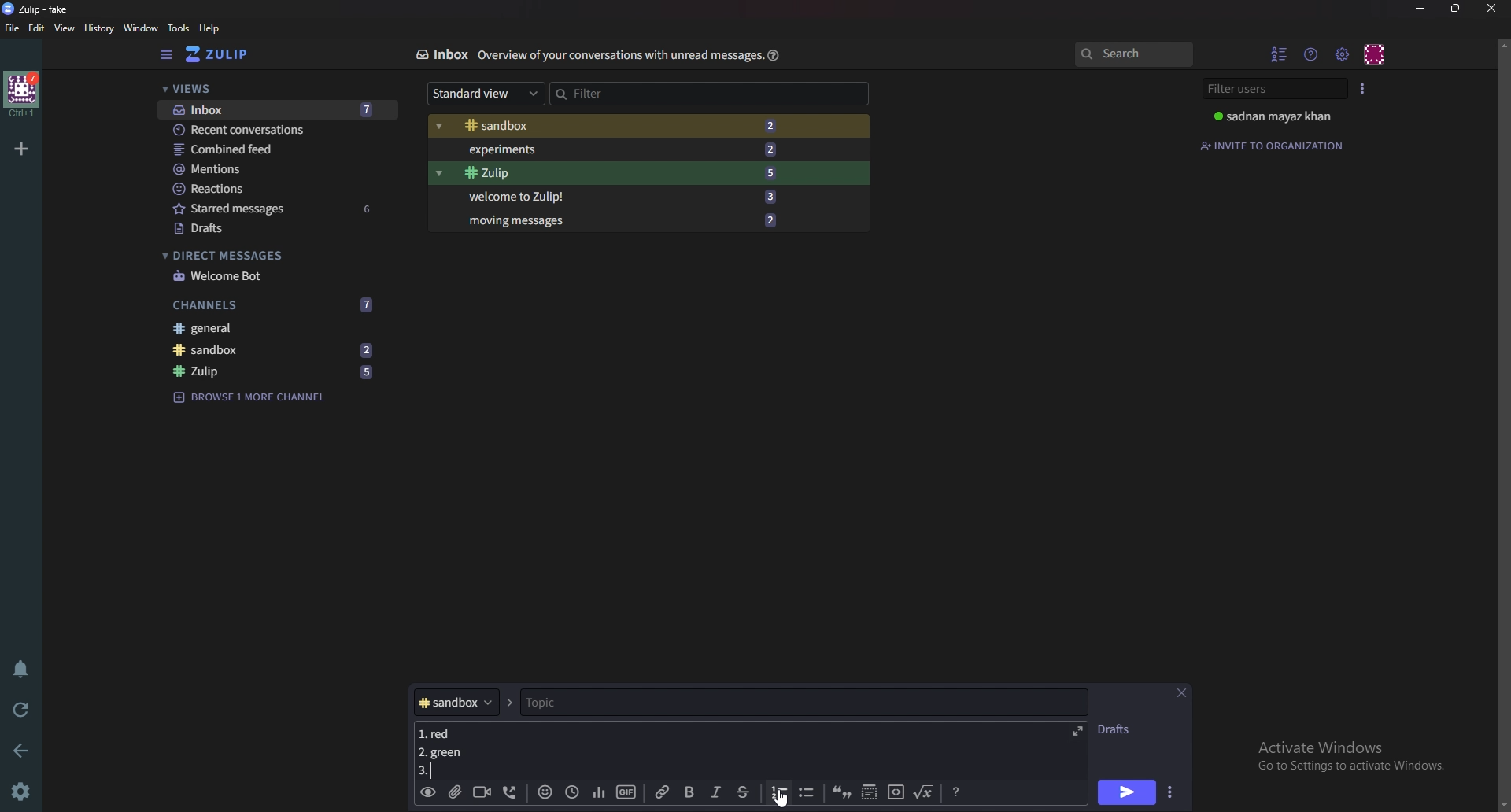  What do you see at coordinates (620, 220) in the screenshot?
I see `Moving messages` at bounding box center [620, 220].